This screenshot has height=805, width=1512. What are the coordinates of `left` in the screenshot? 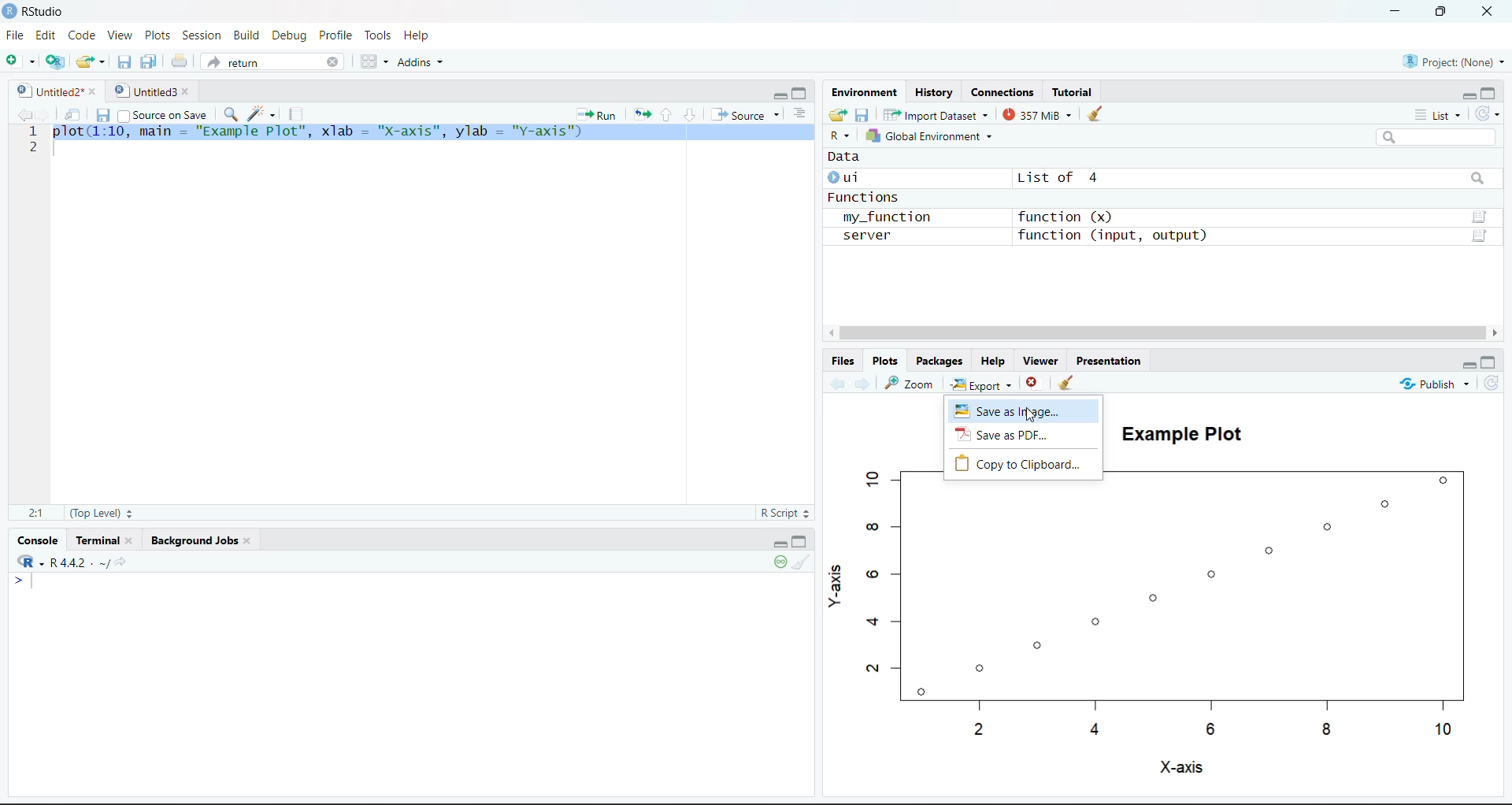 It's located at (829, 333).